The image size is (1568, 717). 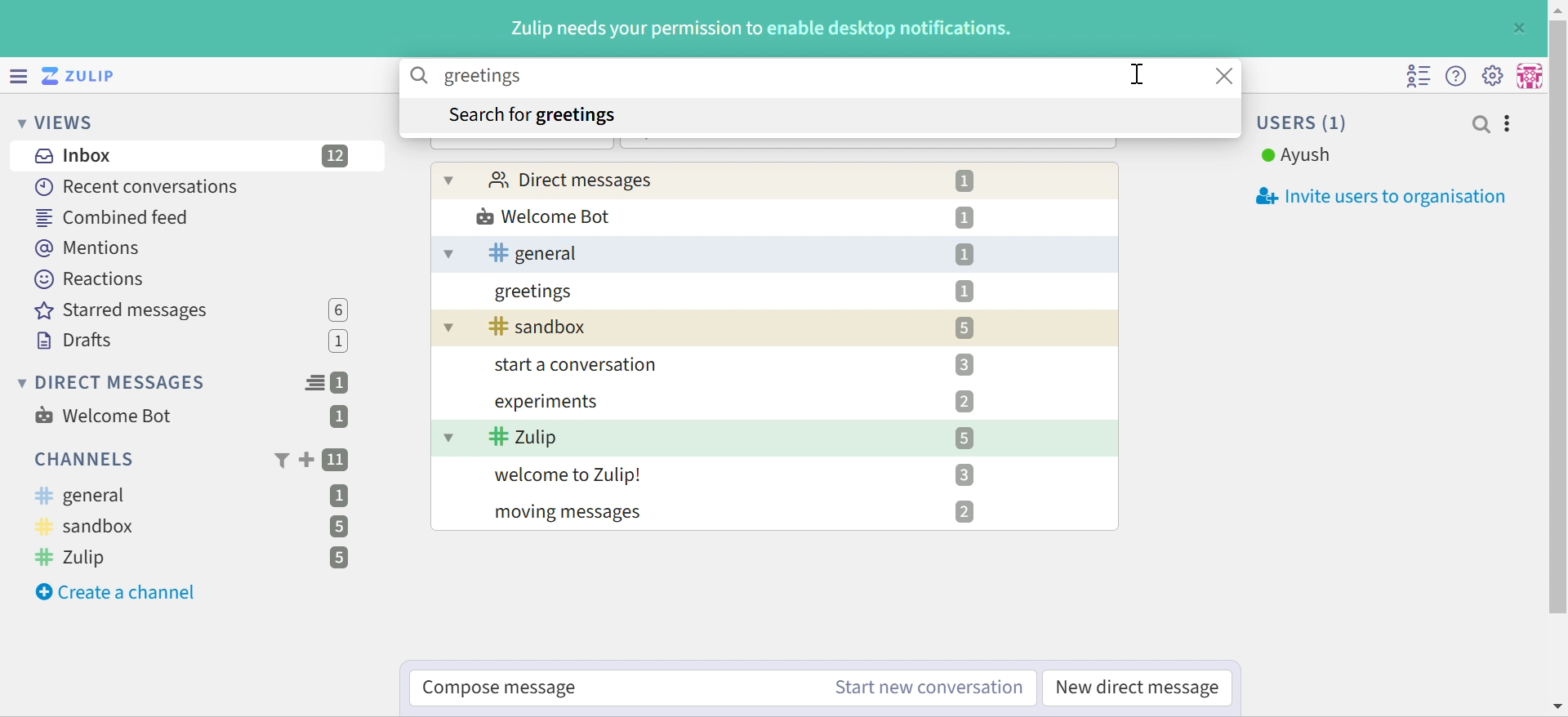 What do you see at coordinates (965, 328) in the screenshot?
I see `5` at bounding box center [965, 328].